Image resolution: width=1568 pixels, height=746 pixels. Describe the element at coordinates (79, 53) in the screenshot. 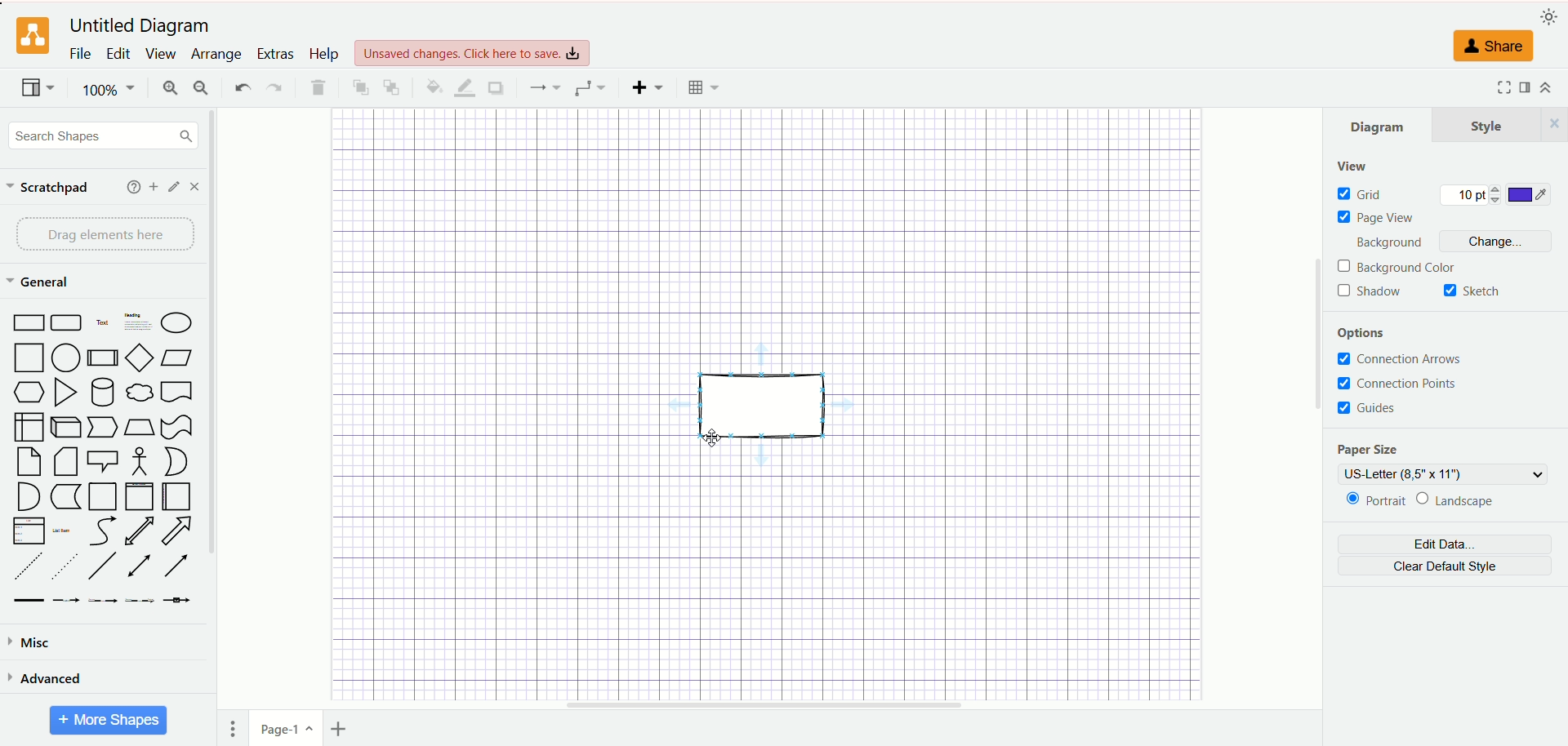

I see `file` at that location.